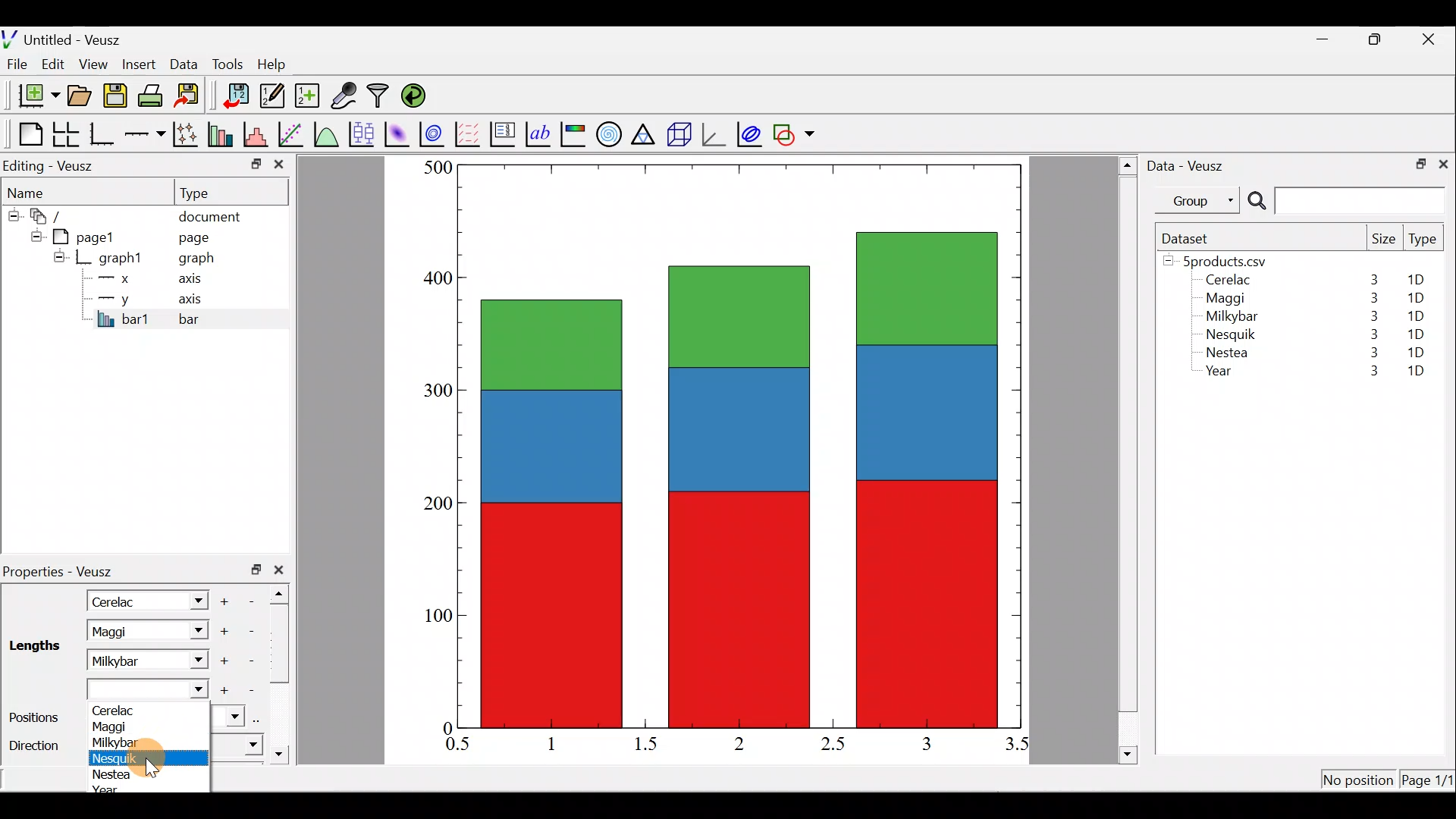 The height and width of the screenshot is (819, 1456). Describe the element at coordinates (1227, 300) in the screenshot. I see `Maggi` at that location.